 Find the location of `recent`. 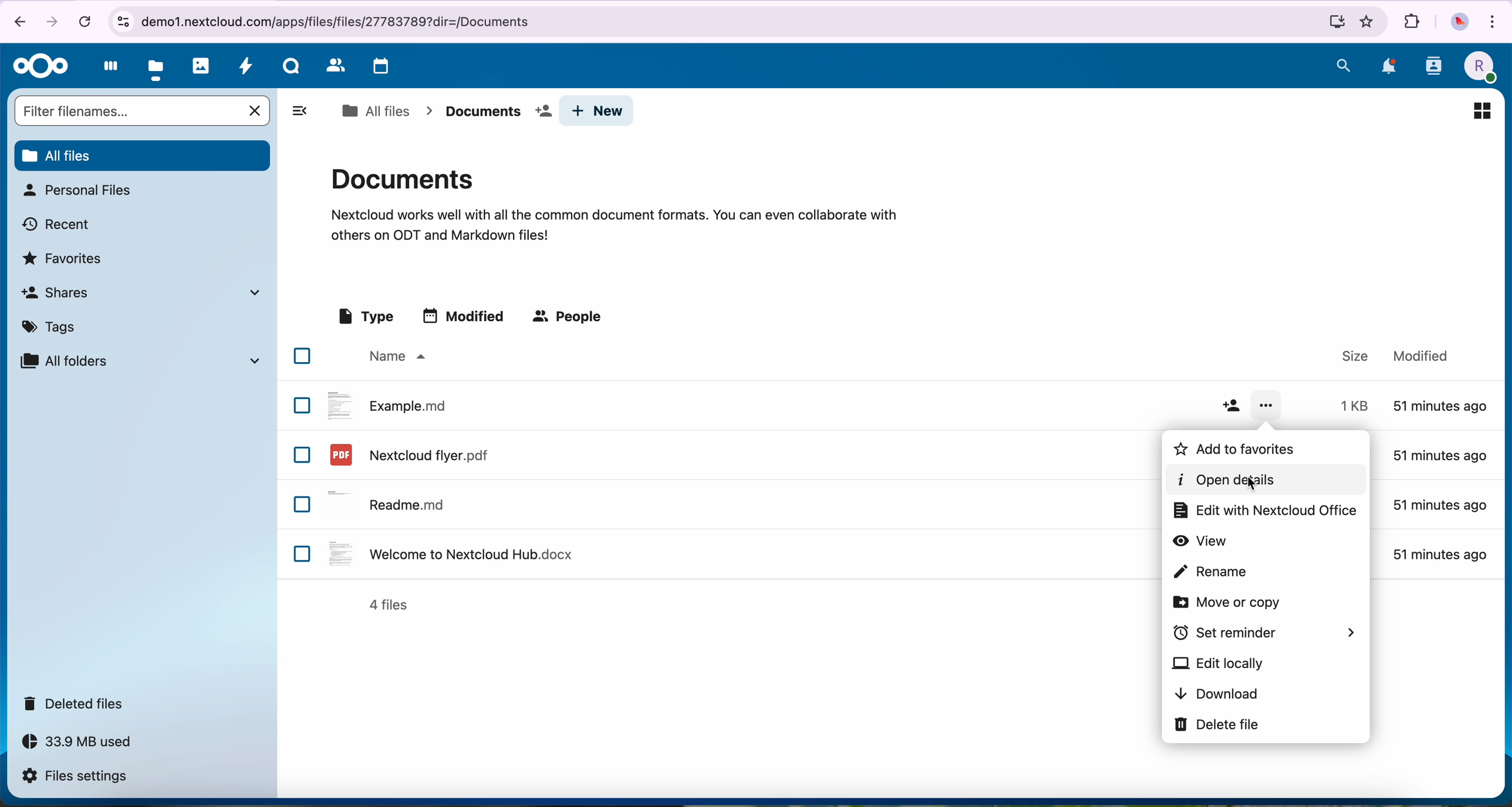

recent is located at coordinates (58, 223).